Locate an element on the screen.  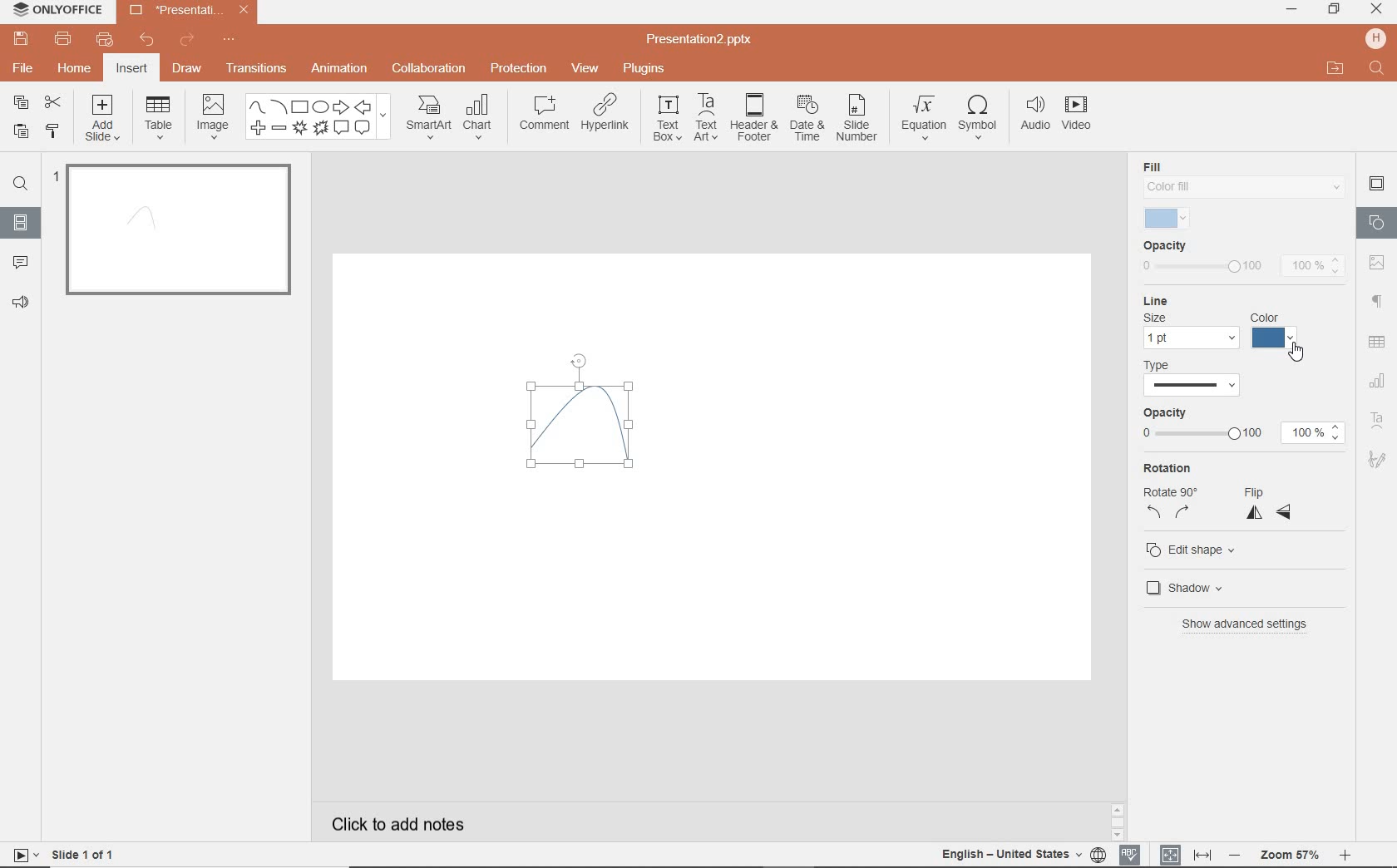
IMAGE is located at coordinates (213, 115).